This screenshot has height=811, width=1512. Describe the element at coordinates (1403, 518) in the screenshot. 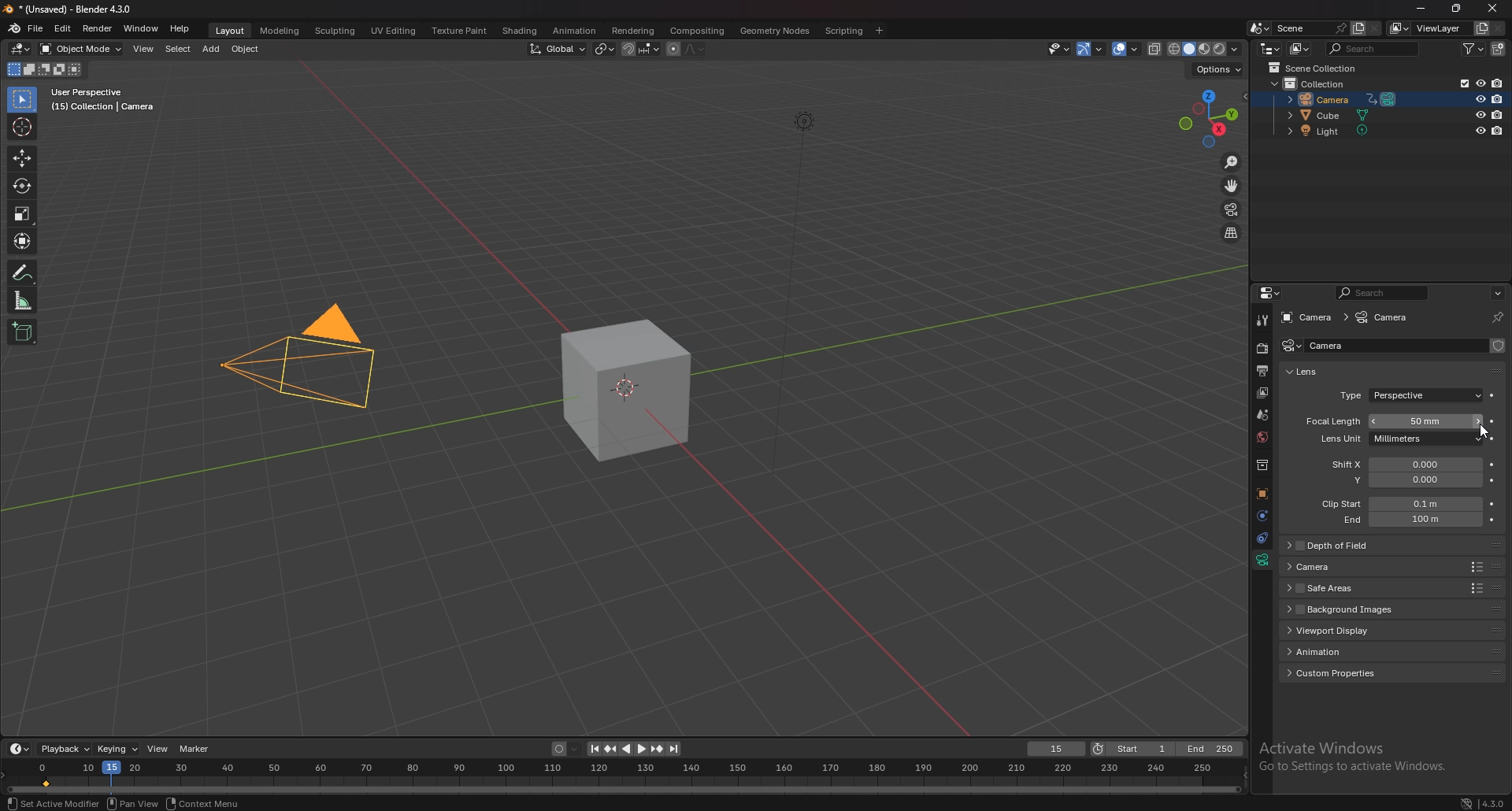

I see `clip end` at that location.